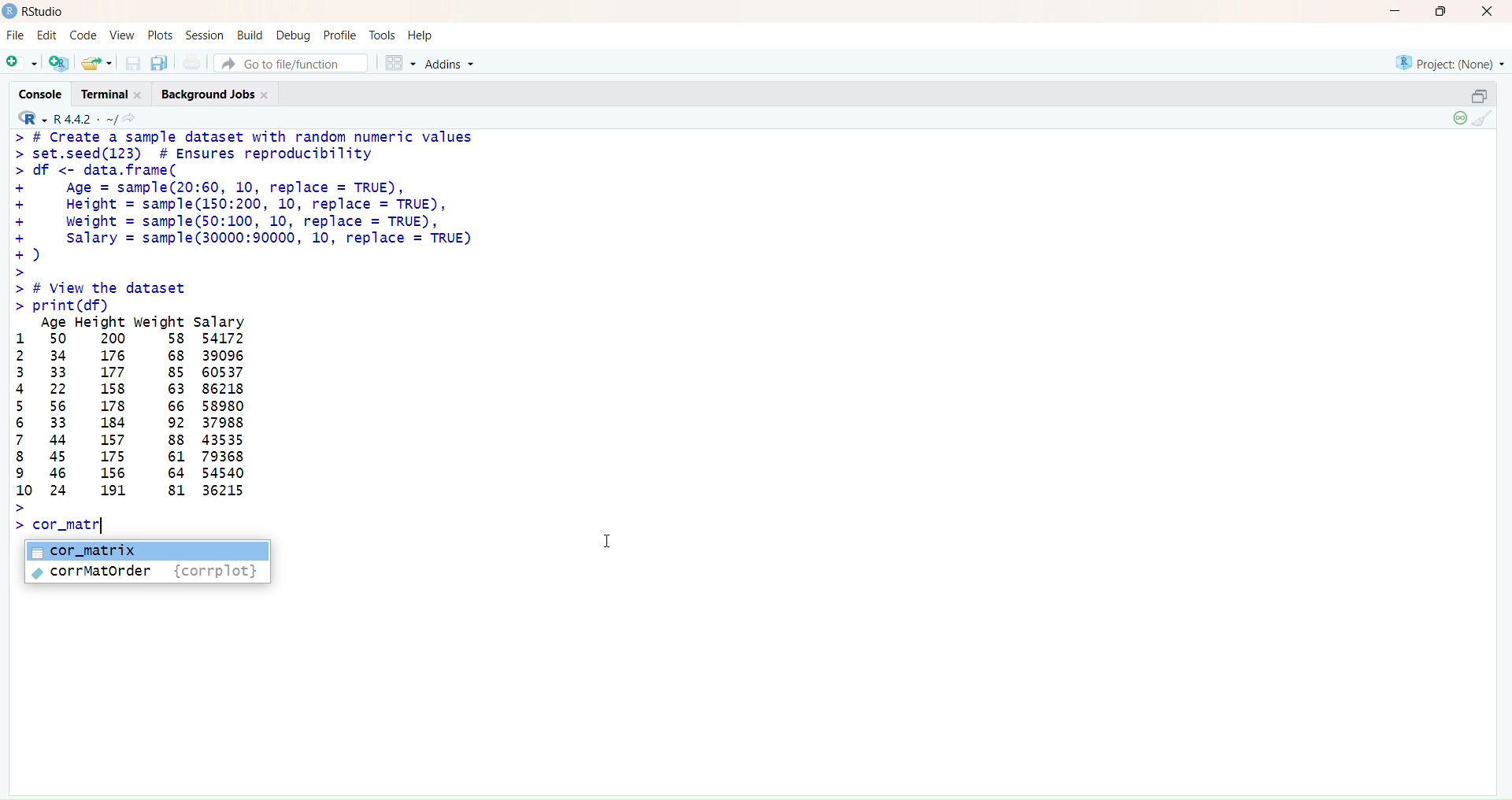  What do you see at coordinates (294, 35) in the screenshot?
I see `Debug` at bounding box center [294, 35].